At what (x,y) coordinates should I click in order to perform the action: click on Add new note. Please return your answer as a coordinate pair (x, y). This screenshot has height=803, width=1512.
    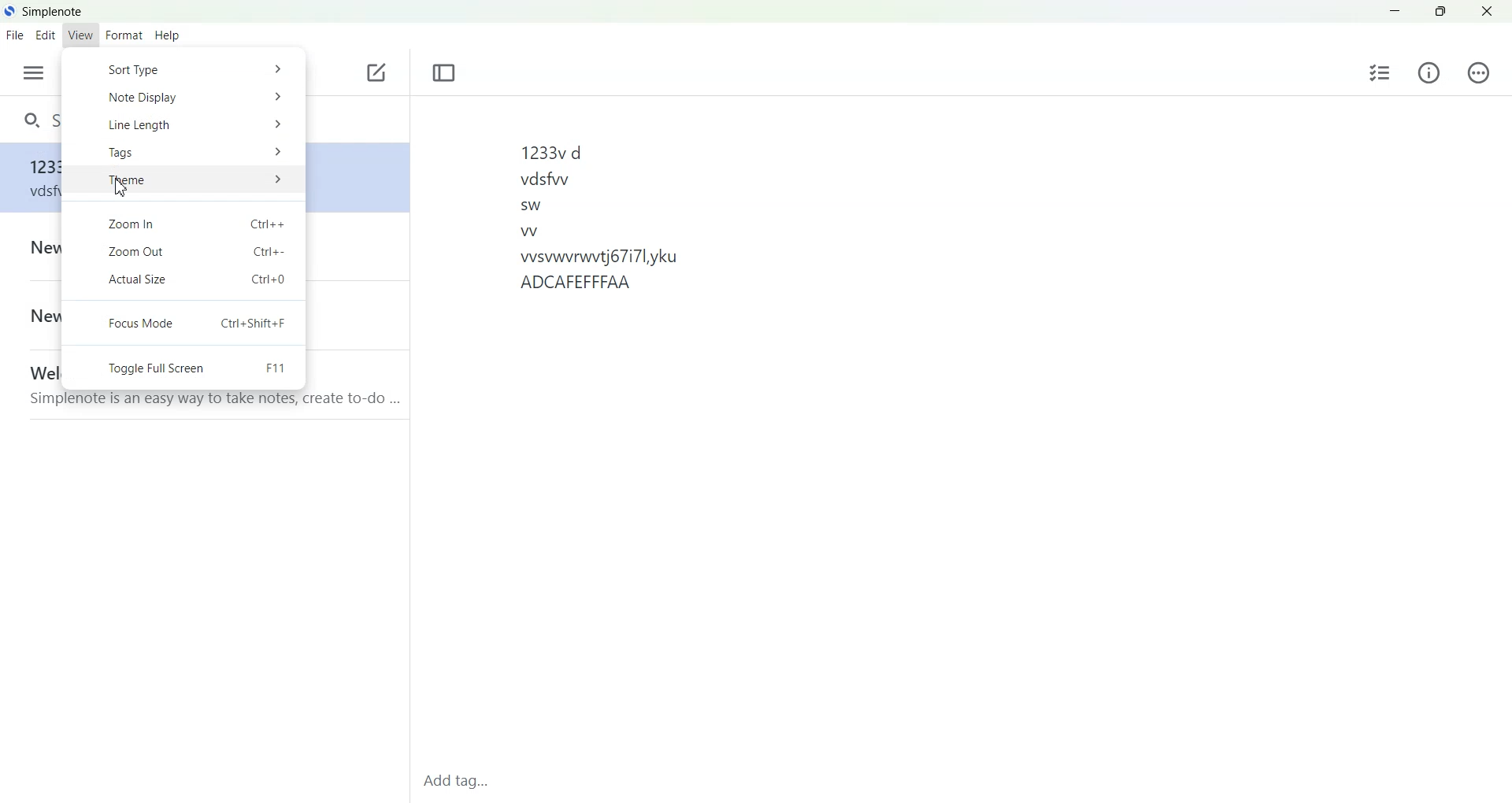
    Looking at the image, I should click on (376, 72).